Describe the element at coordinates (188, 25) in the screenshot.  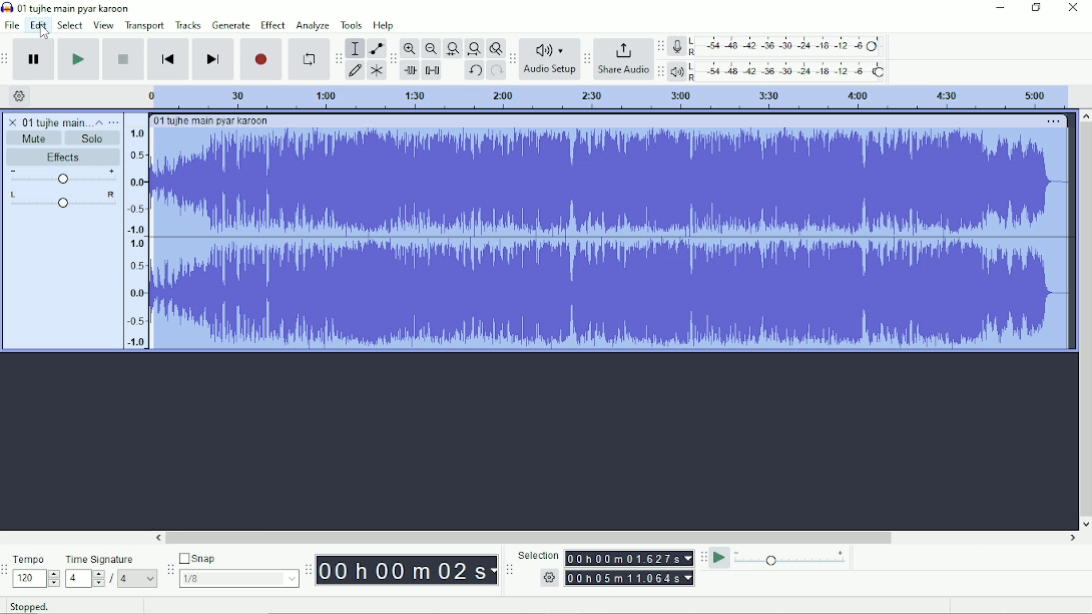
I see `Tracks` at that location.